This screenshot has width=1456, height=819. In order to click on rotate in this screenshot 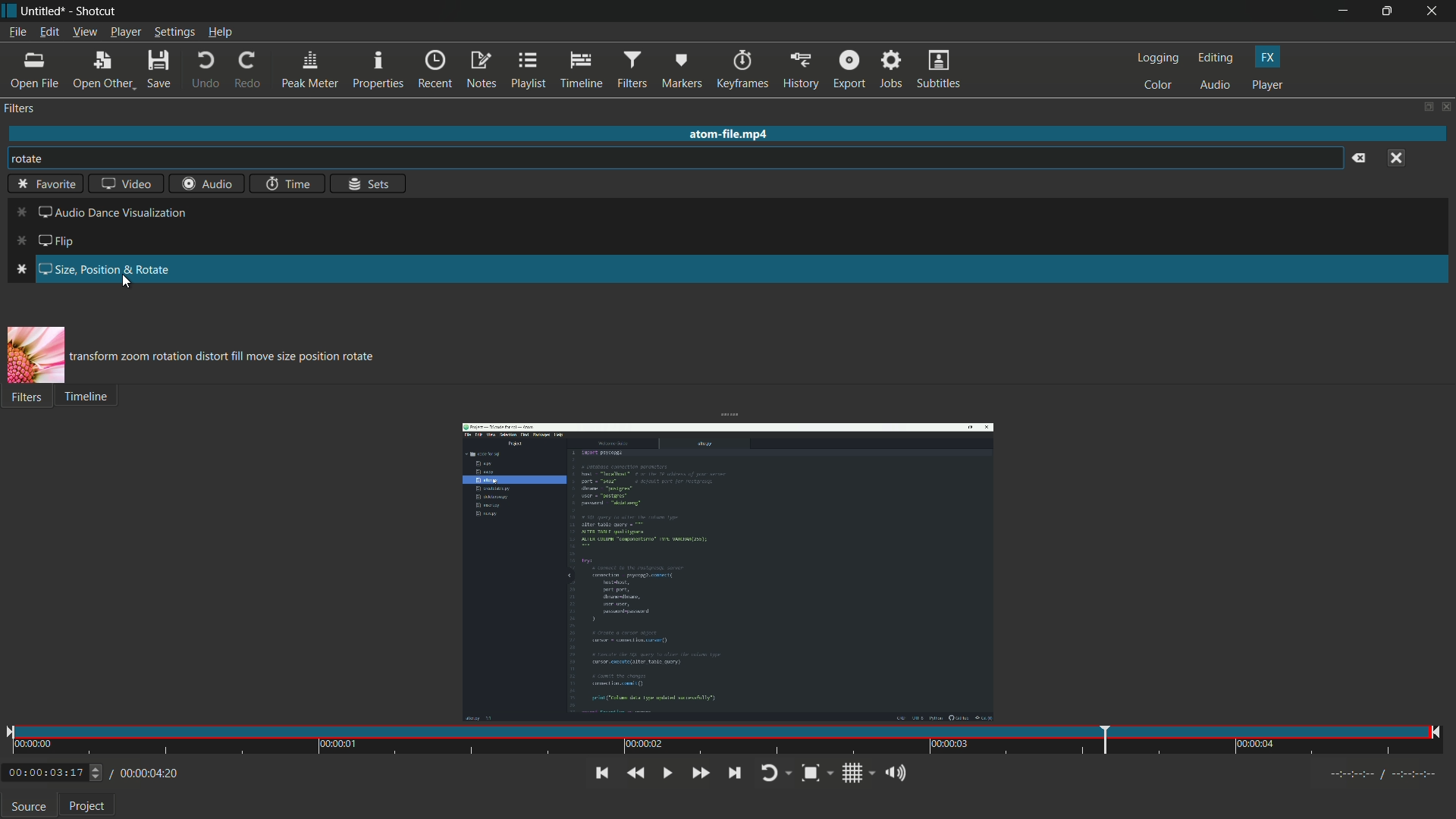, I will do `click(34, 158)`.